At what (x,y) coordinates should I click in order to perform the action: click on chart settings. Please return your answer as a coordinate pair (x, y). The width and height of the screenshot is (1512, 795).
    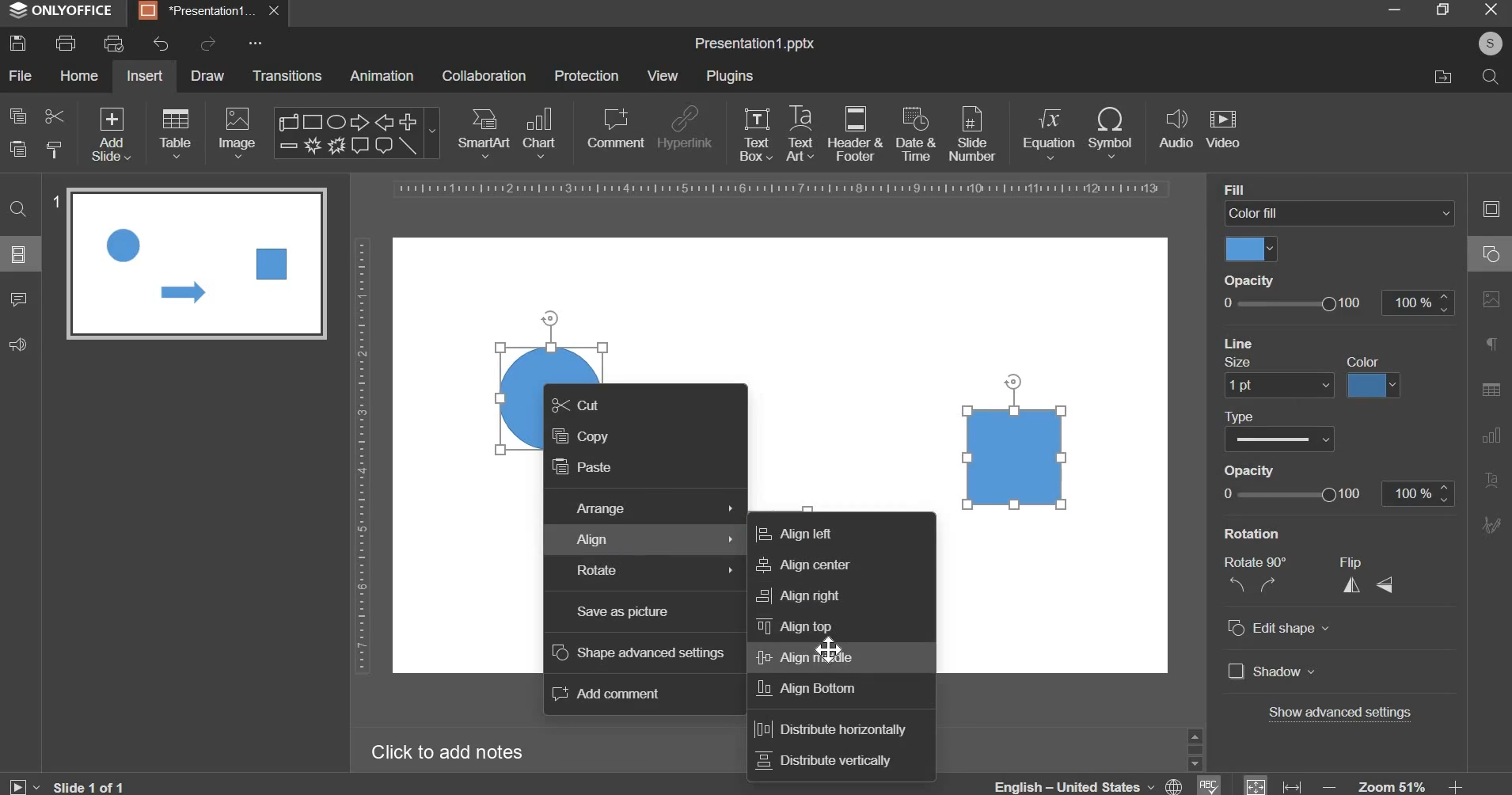
    Looking at the image, I should click on (1487, 435).